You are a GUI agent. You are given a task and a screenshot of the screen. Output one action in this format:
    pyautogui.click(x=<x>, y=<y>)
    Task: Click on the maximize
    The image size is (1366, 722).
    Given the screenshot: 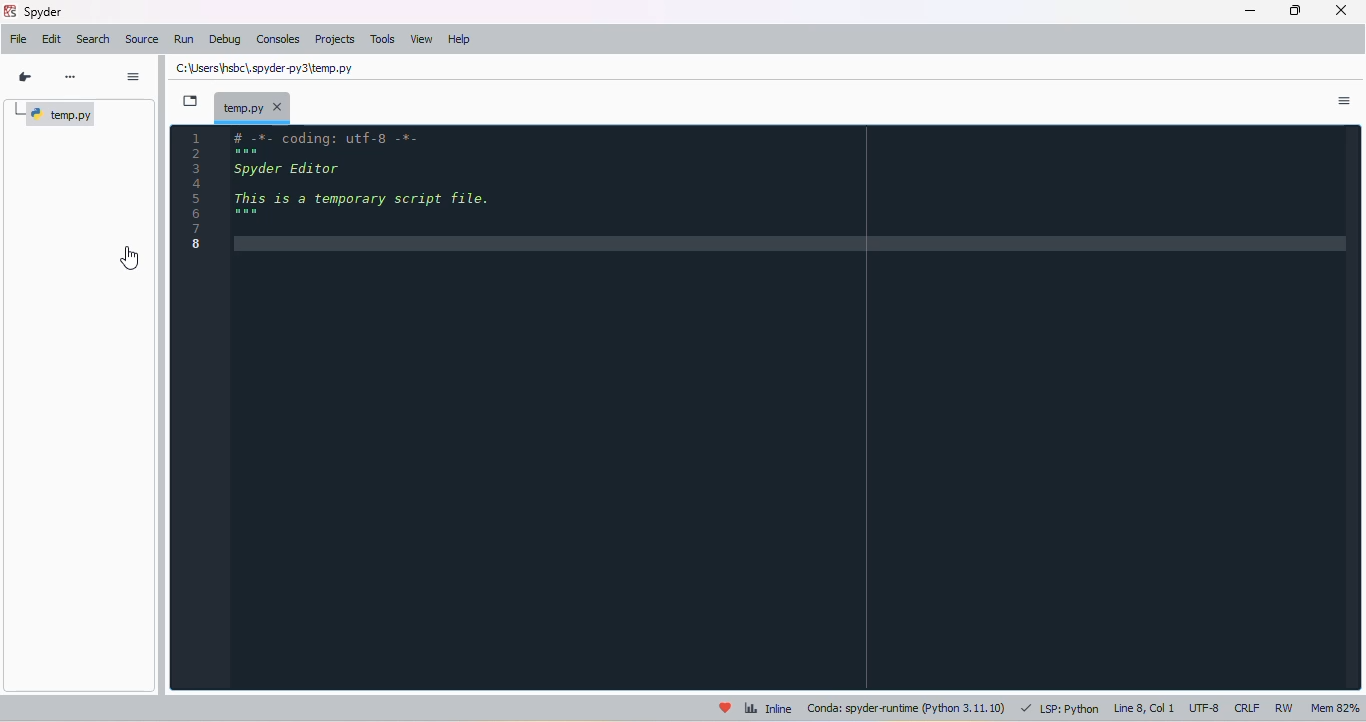 What is the action you would take?
    pyautogui.click(x=1296, y=10)
    